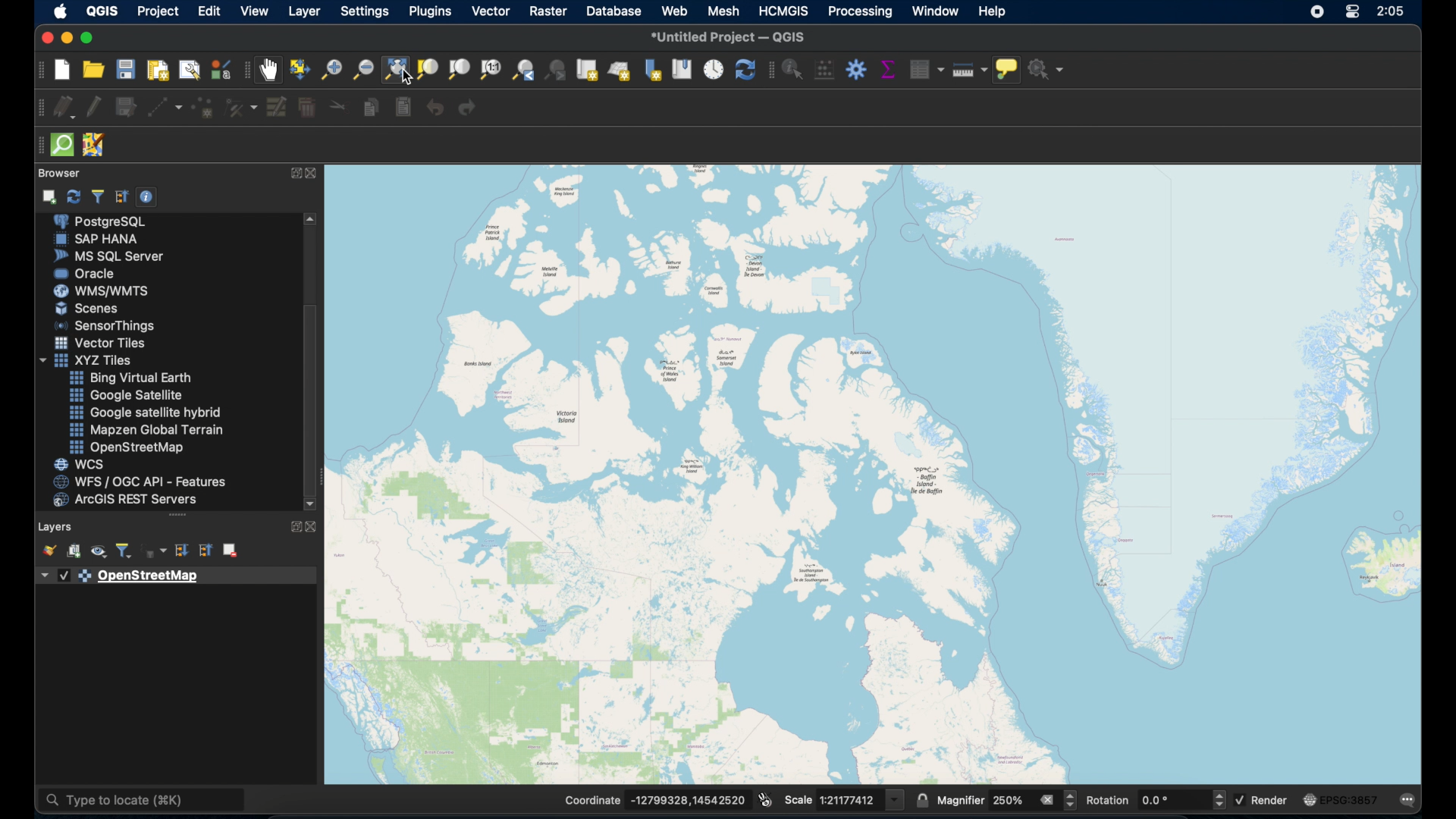 This screenshot has width=1456, height=819. I want to click on scroll up arrow, so click(311, 218).